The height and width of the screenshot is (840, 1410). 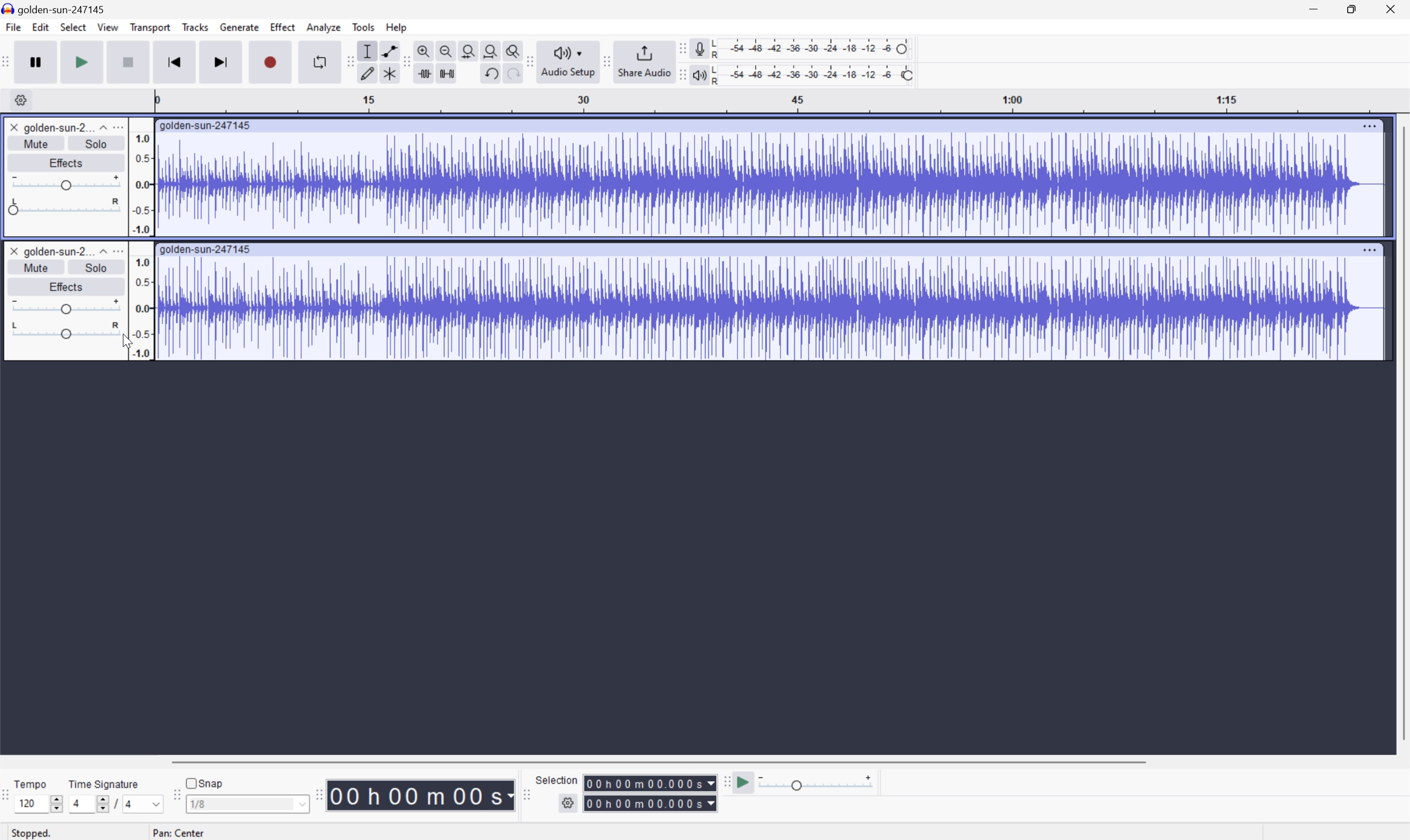 I want to click on Slider, so click(x=67, y=307).